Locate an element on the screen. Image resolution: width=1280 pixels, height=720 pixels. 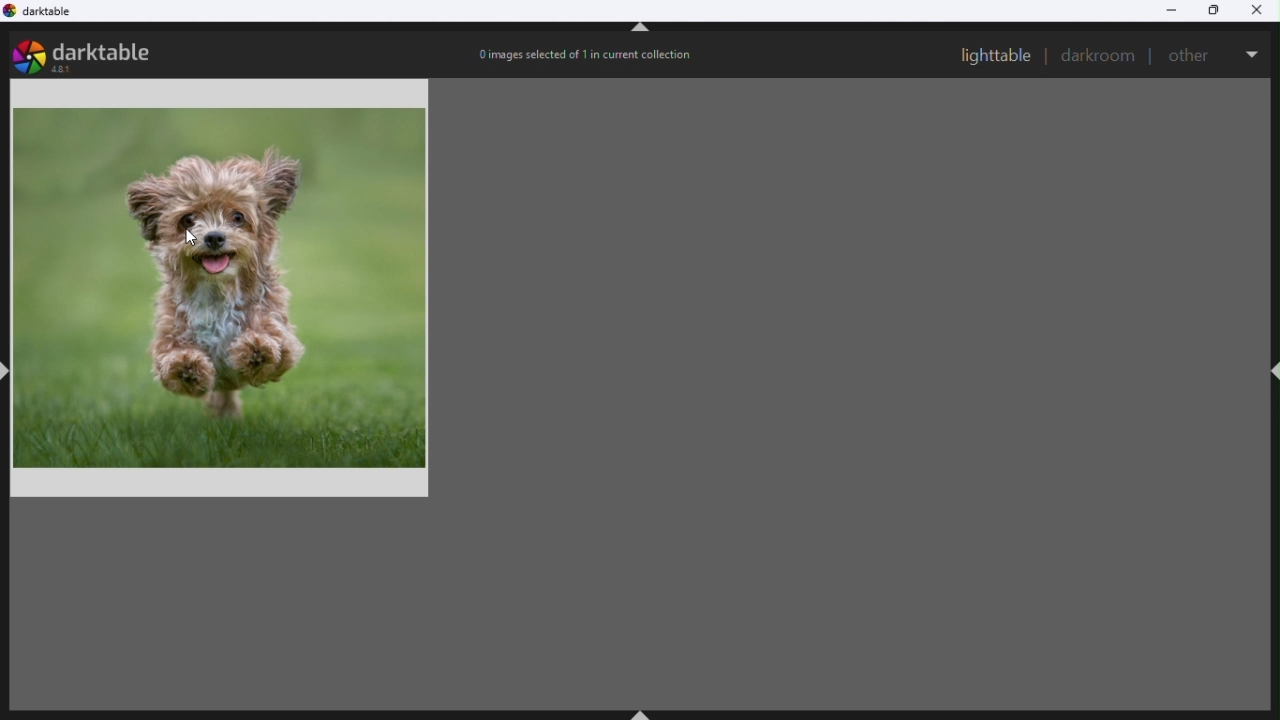
Dark table is located at coordinates (44, 13).